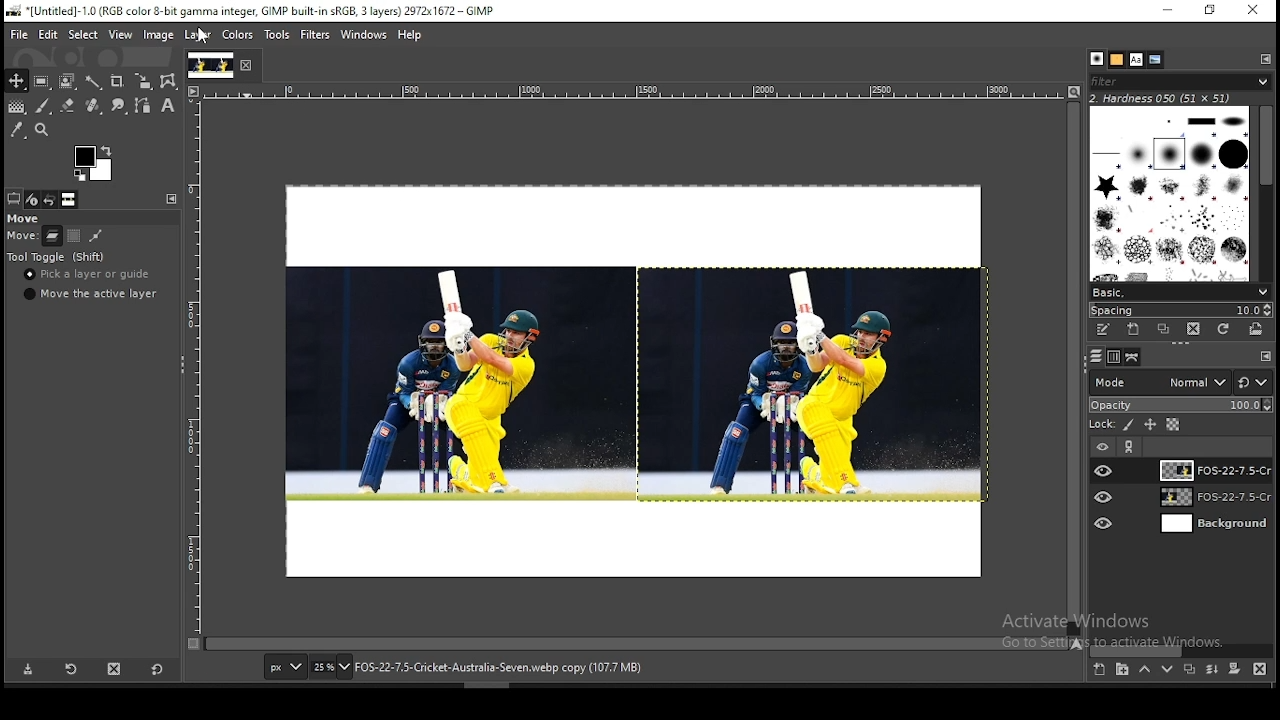 This screenshot has height=720, width=1280. Describe the element at coordinates (119, 34) in the screenshot. I see `view` at that location.